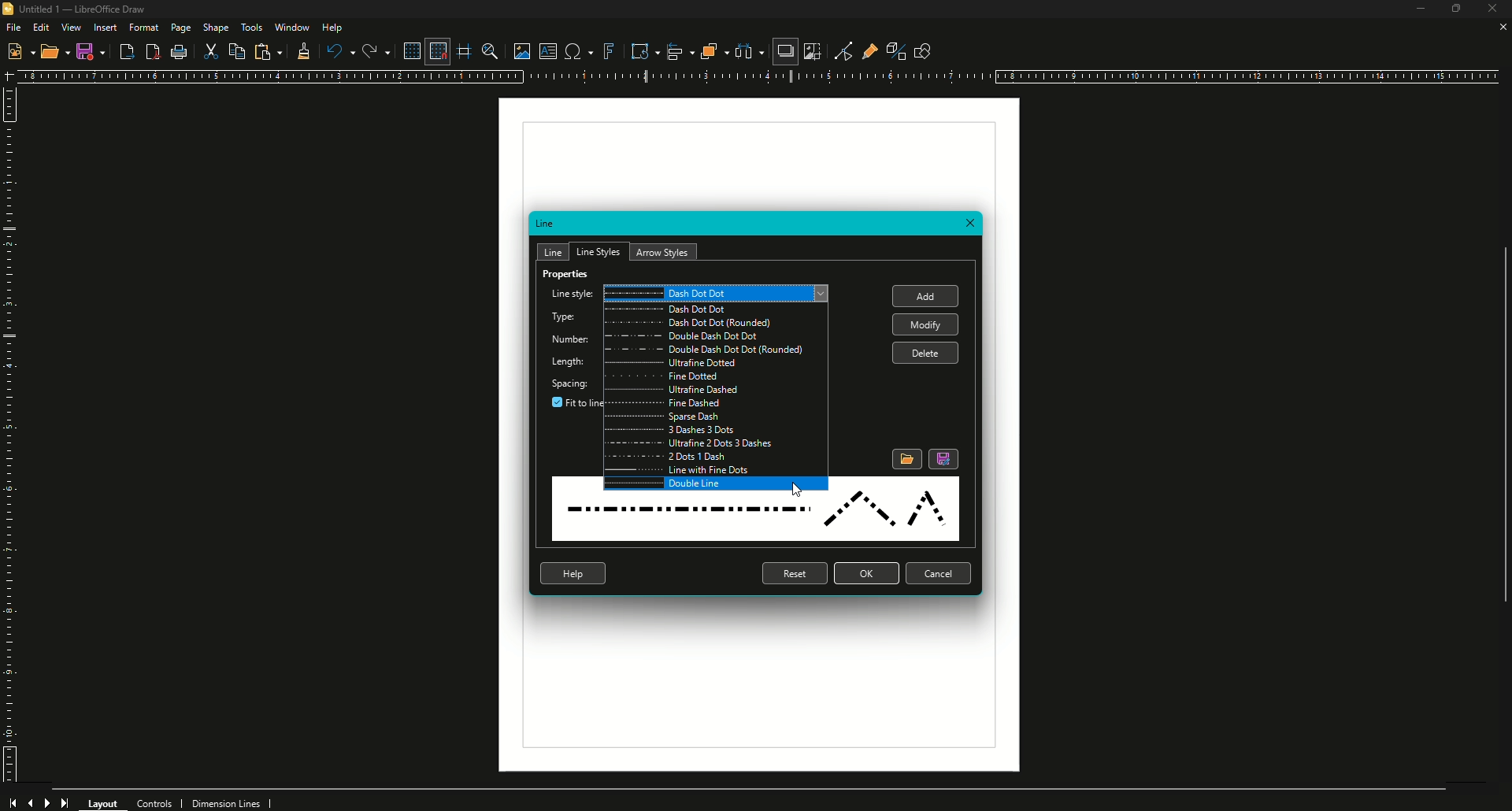  What do you see at coordinates (488, 50) in the screenshot?
I see `Zoom and Pan` at bounding box center [488, 50].